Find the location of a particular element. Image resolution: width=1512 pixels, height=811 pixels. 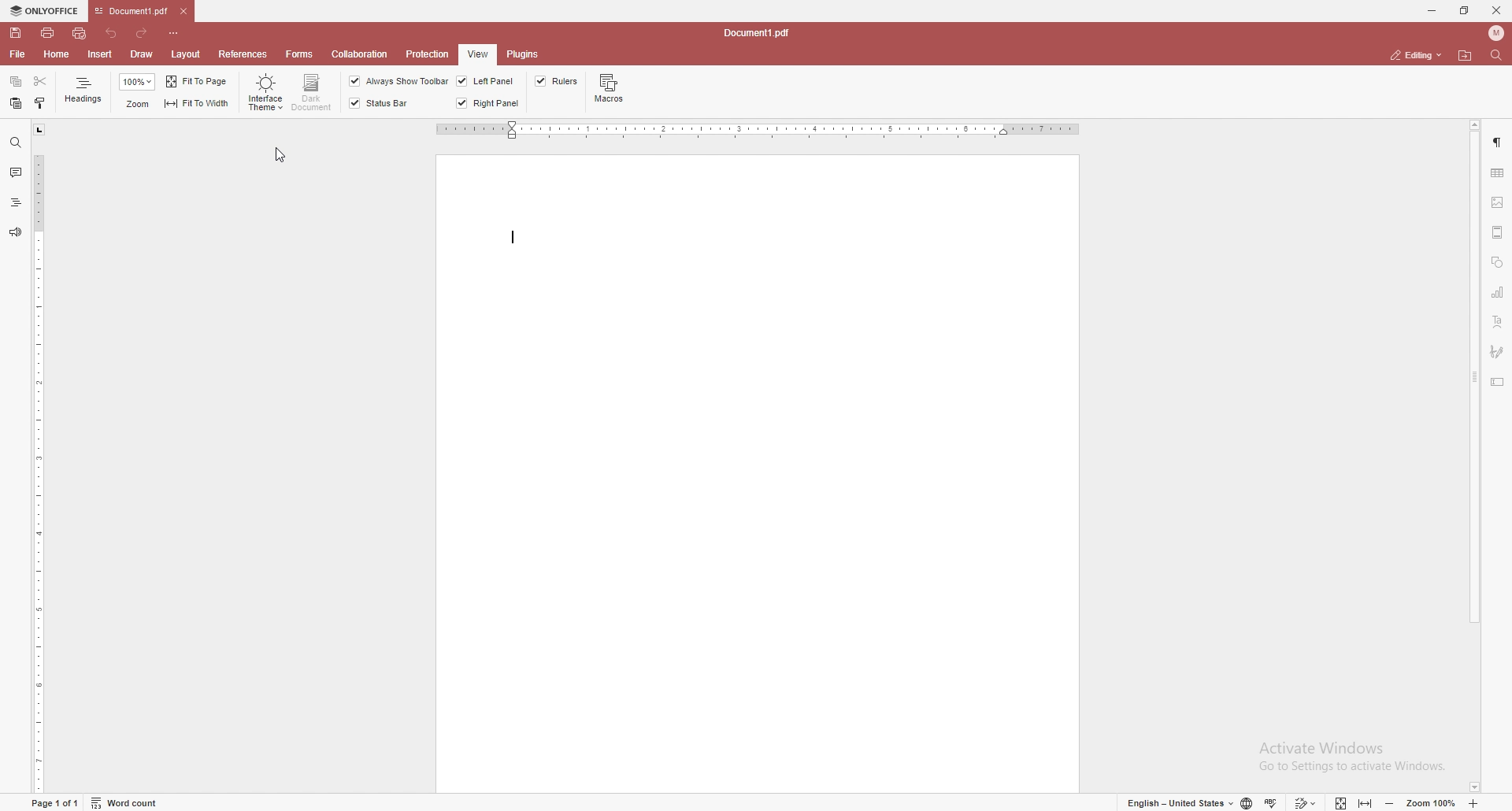

rulers is located at coordinates (556, 81).